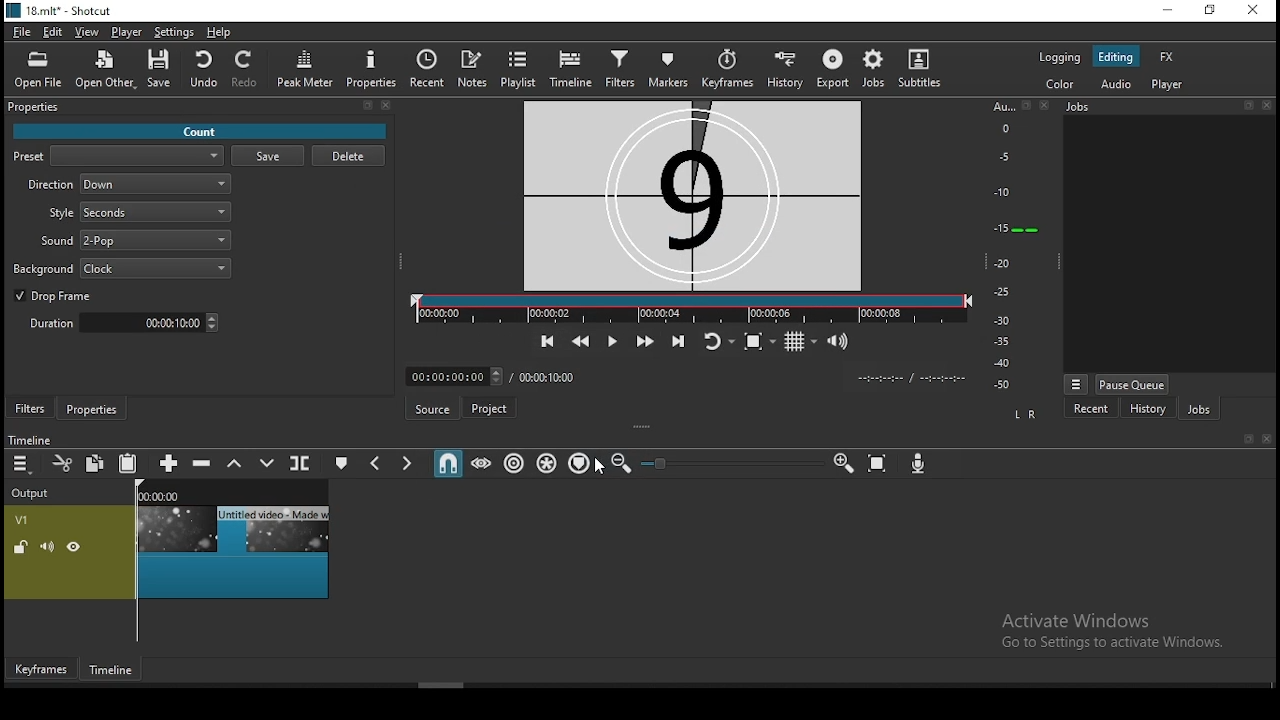 The width and height of the screenshot is (1280, 720). Describe the element at coordinates (787, 68) in the screenshot. I see `history` at that location.